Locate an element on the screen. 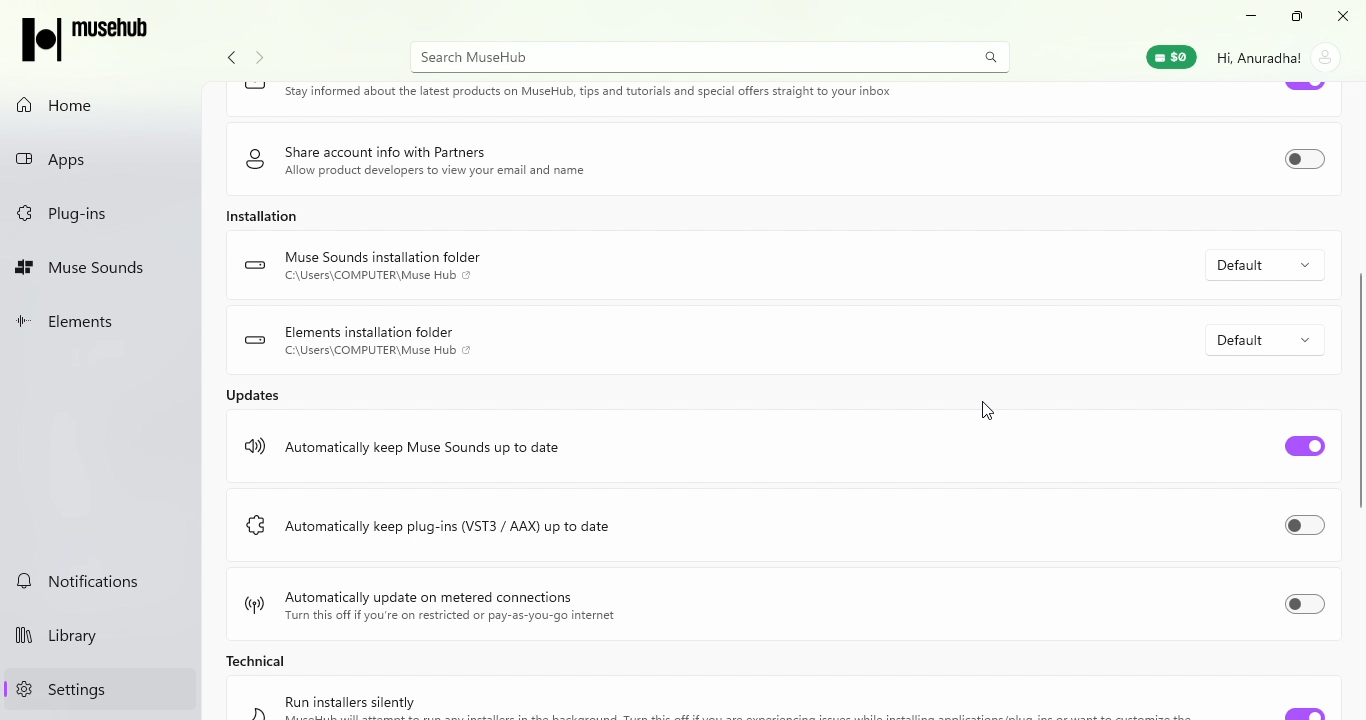 The height and width of the screenshot is (720, 1366). Automatically update on metered connections Turn this off if you're on restricted or pay-as-you-go internet is located at coordinates (458, 607).